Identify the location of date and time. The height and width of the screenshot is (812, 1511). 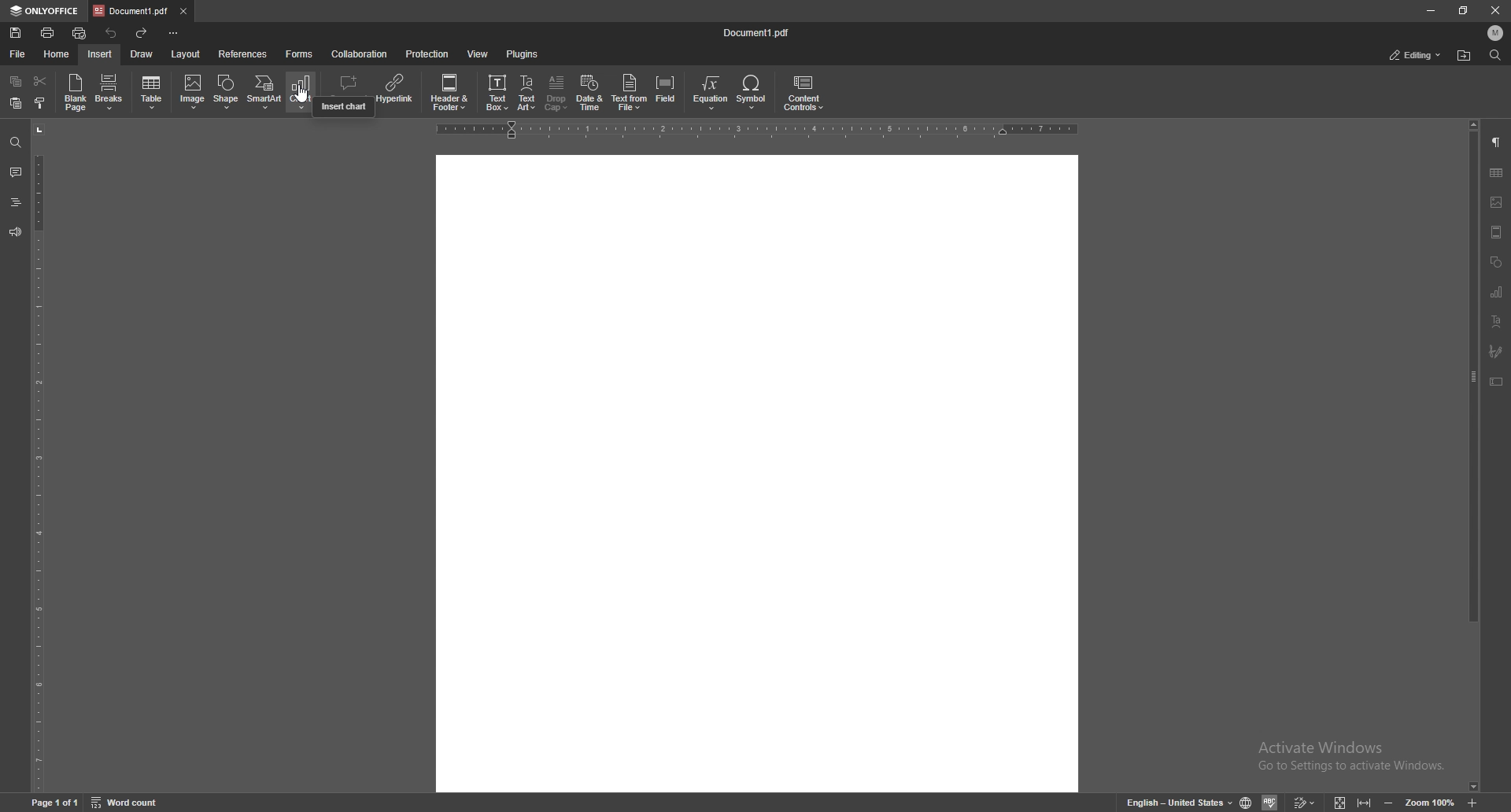
(589, 94).